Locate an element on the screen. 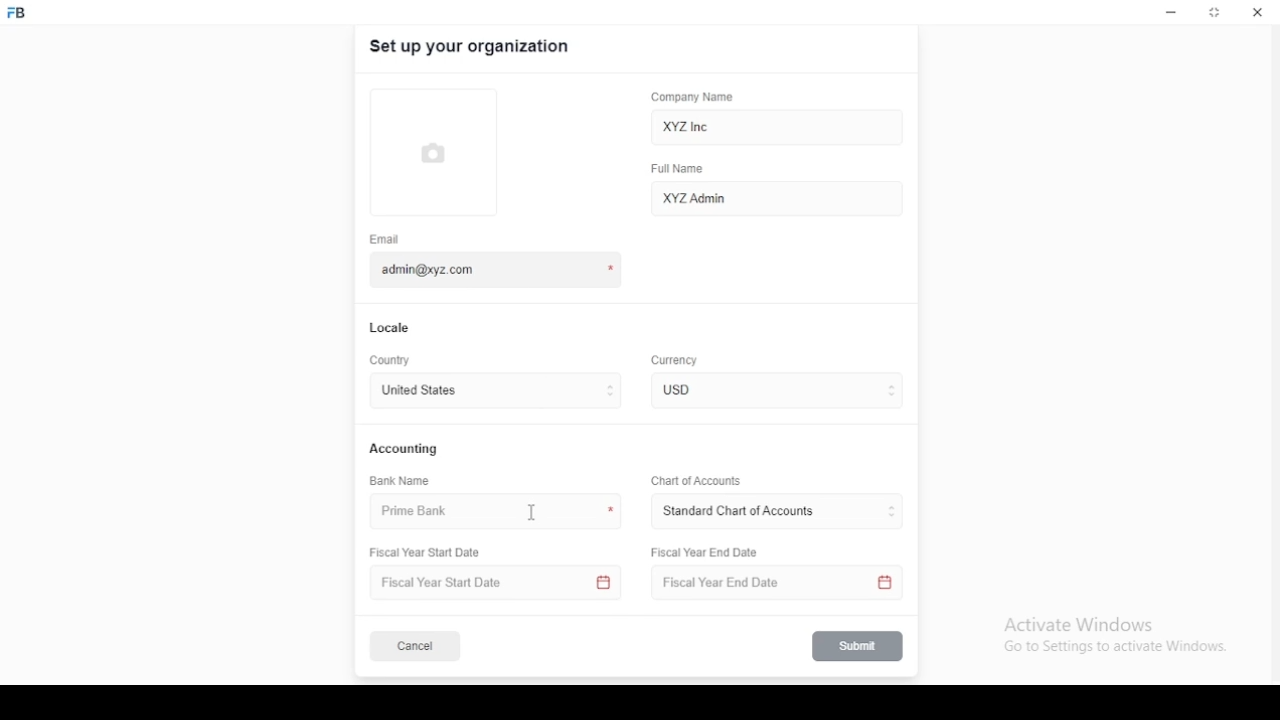  united states is located at coordinates (418, 392).